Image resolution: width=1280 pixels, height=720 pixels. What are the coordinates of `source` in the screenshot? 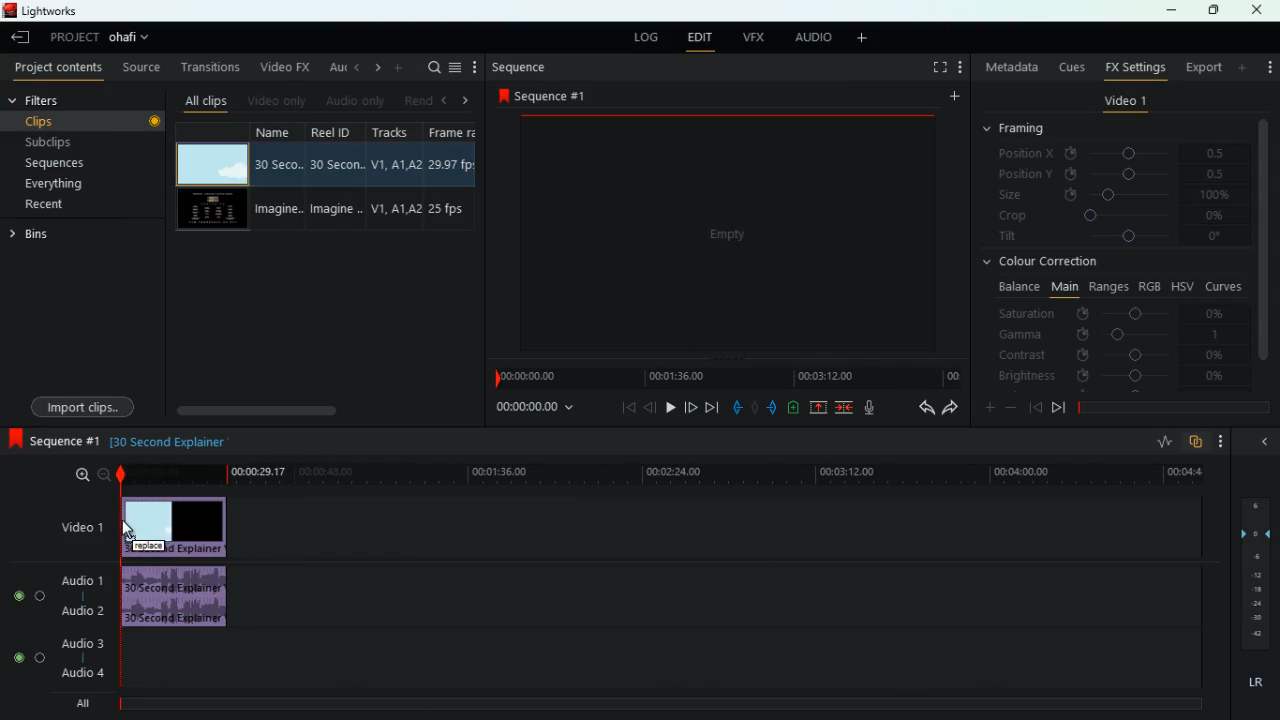 It's located at (143, 69).